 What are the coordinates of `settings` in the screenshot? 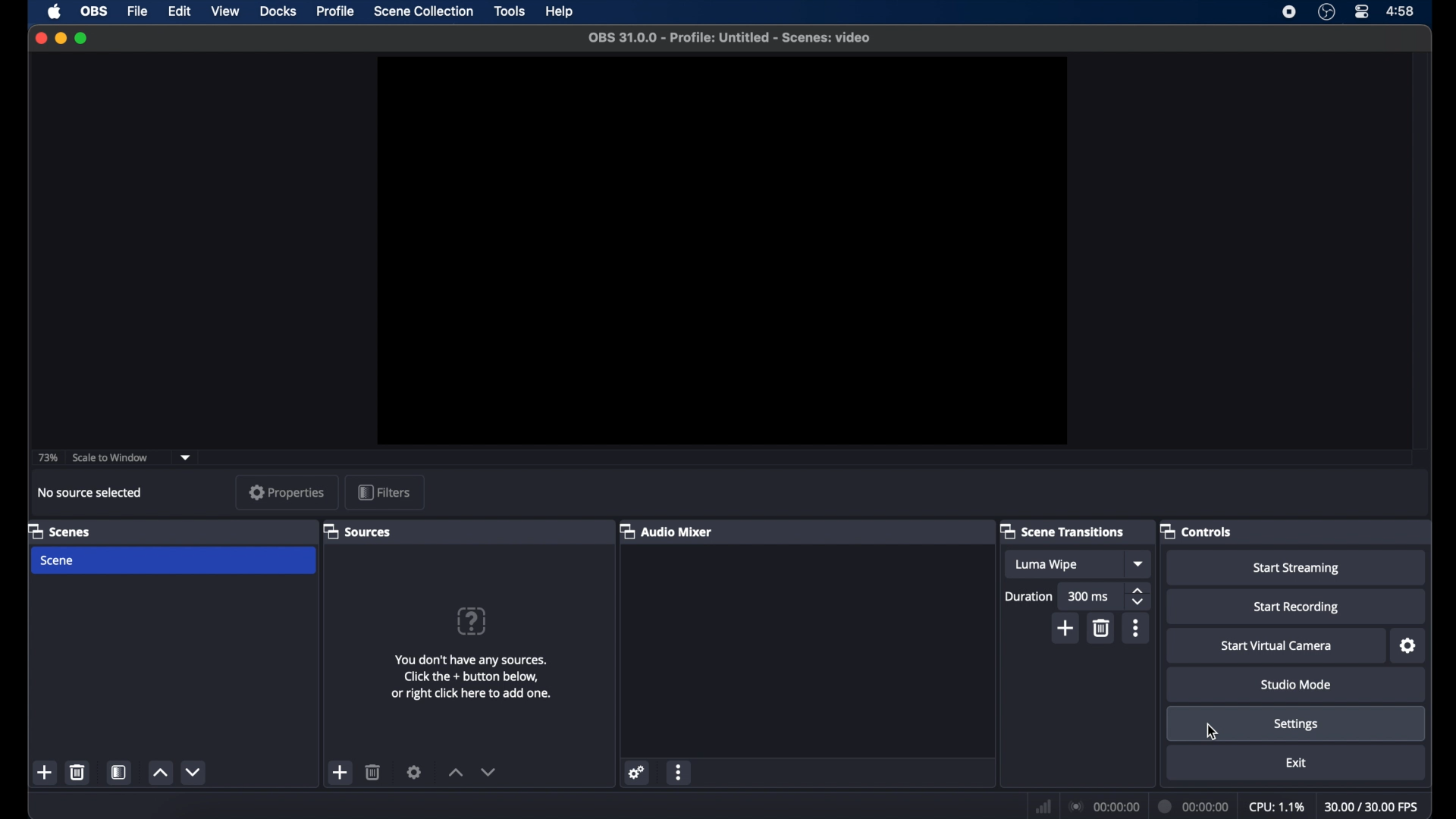 It's located at (414, 772).